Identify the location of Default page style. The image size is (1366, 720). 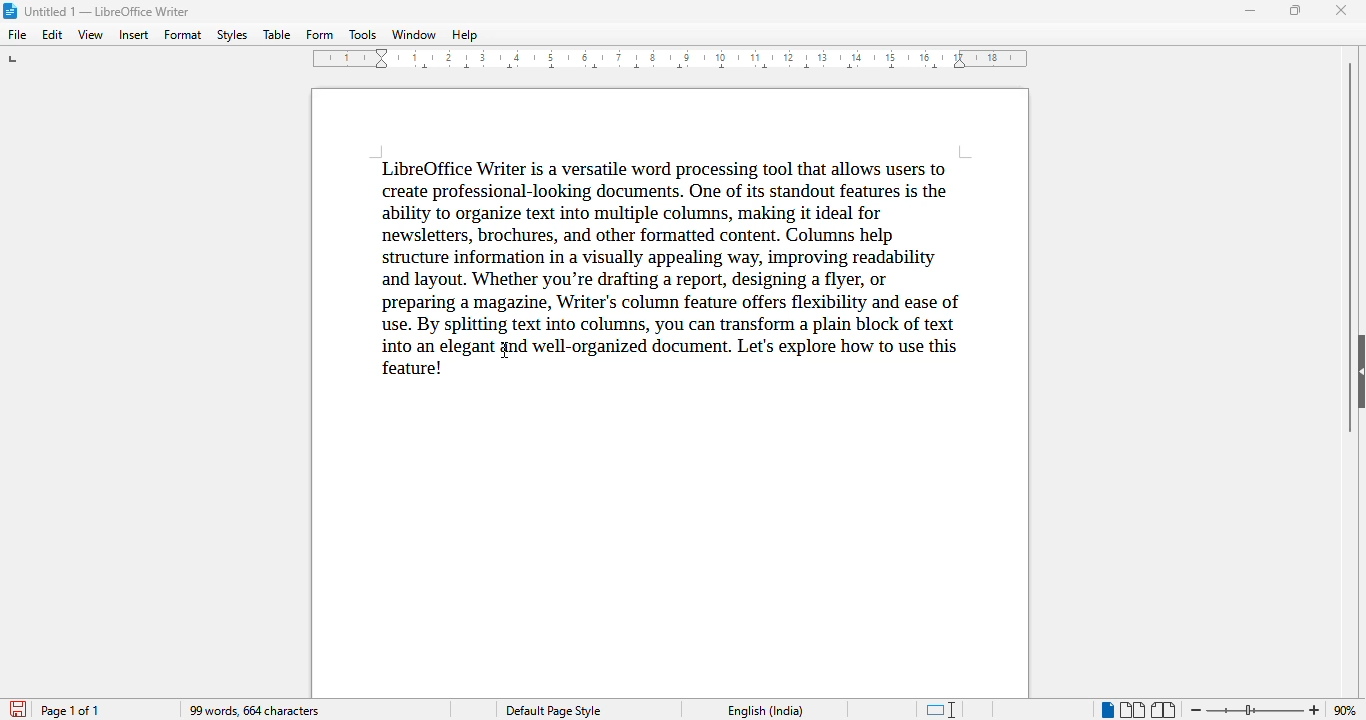
(557, 711).